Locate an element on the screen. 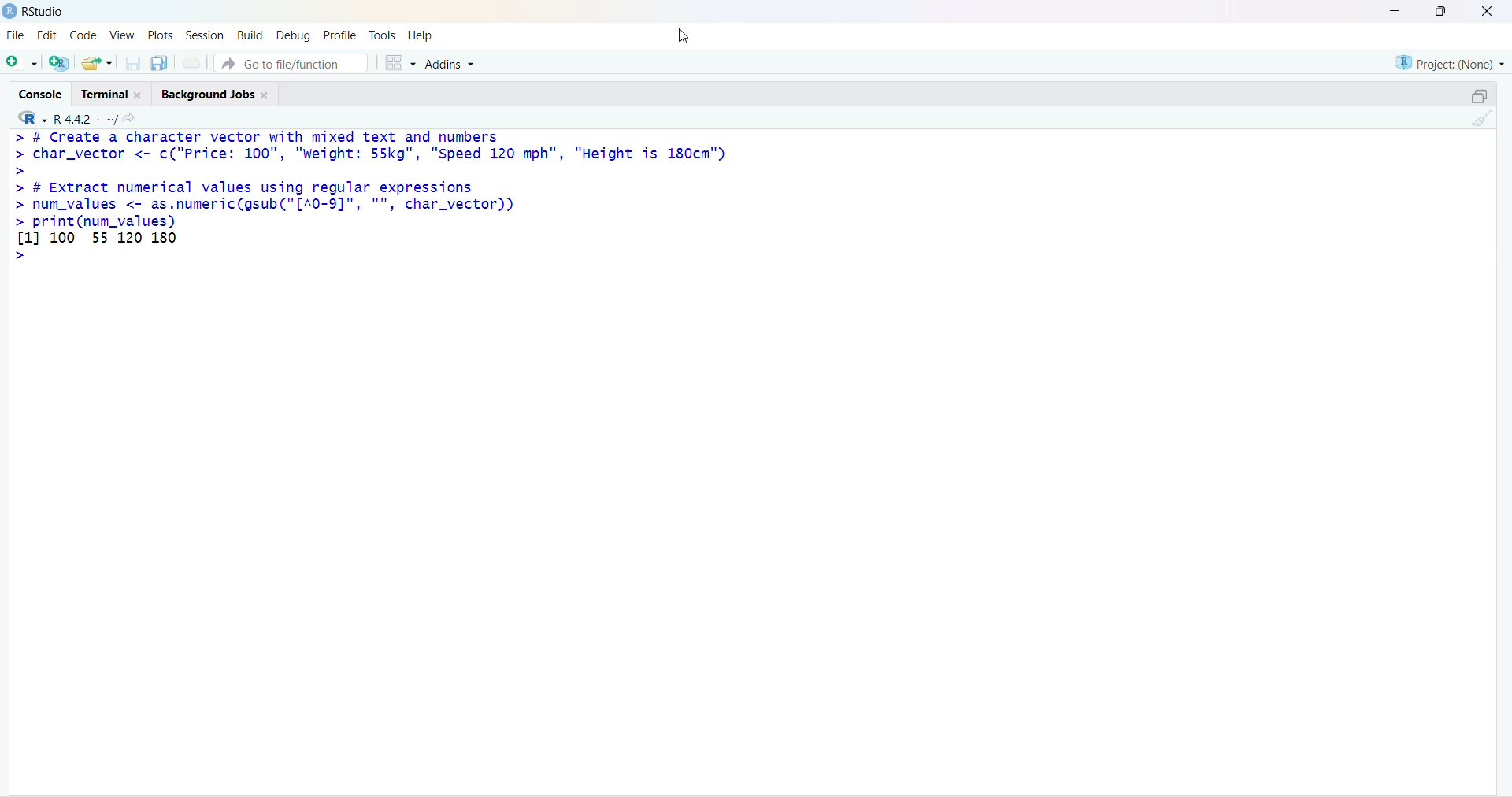 The width and height of the screenshot is (1512, 797). session is located at coordinates (206, 36).